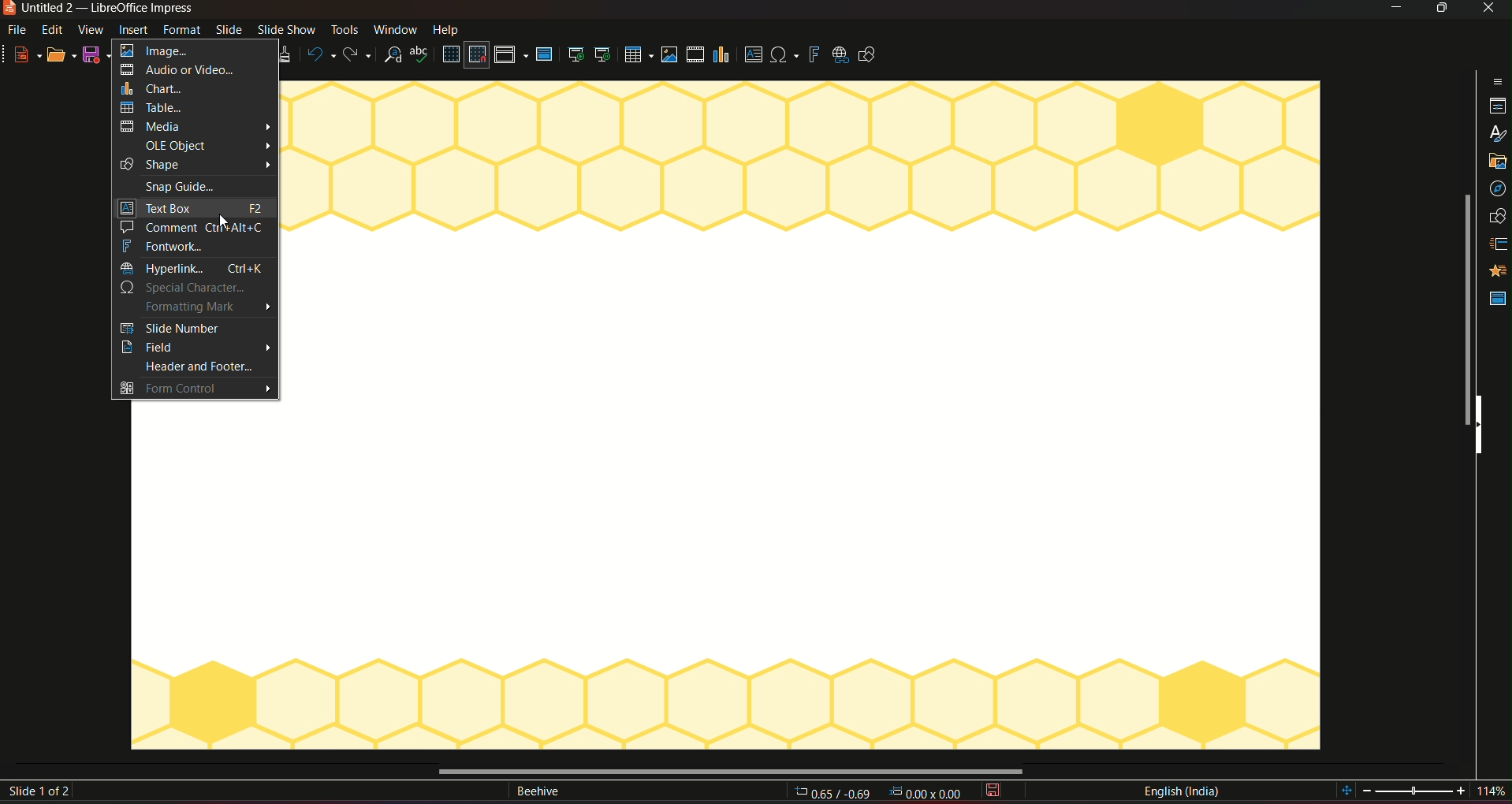 This screenshot has width=1512, height=804. Describe the element at coordinates (668, 54) in the screenshot. I see `insert image` at that location.